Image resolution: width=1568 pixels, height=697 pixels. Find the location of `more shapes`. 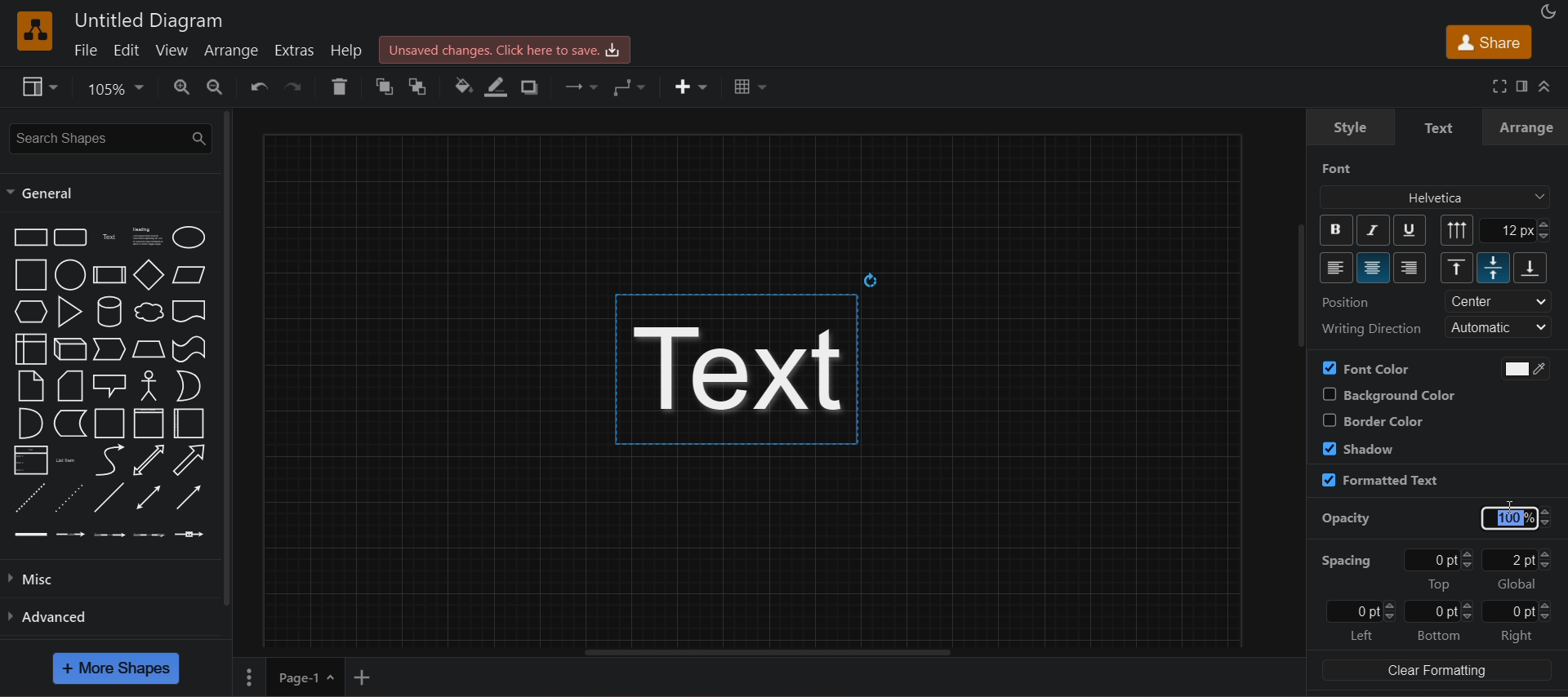

more shapes is located at coordinates (116, 668).